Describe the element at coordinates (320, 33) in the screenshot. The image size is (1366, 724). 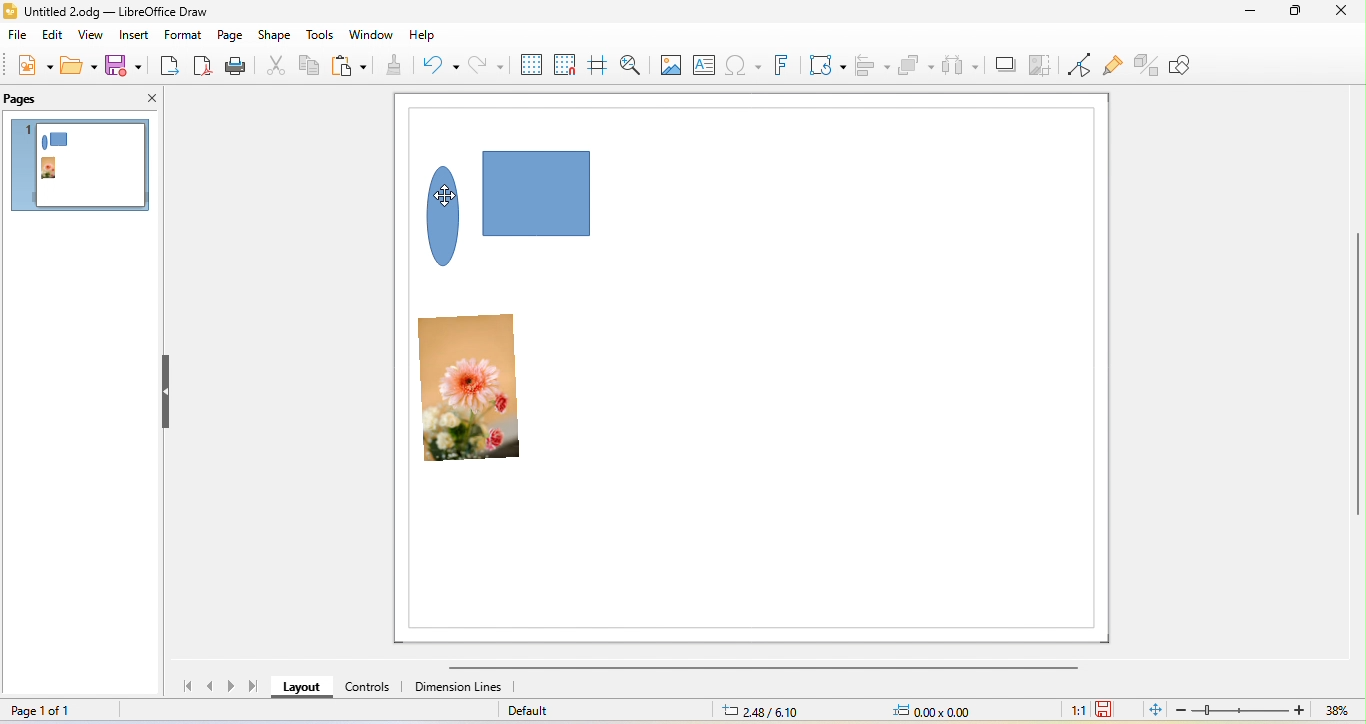
I see `tools` at that location.